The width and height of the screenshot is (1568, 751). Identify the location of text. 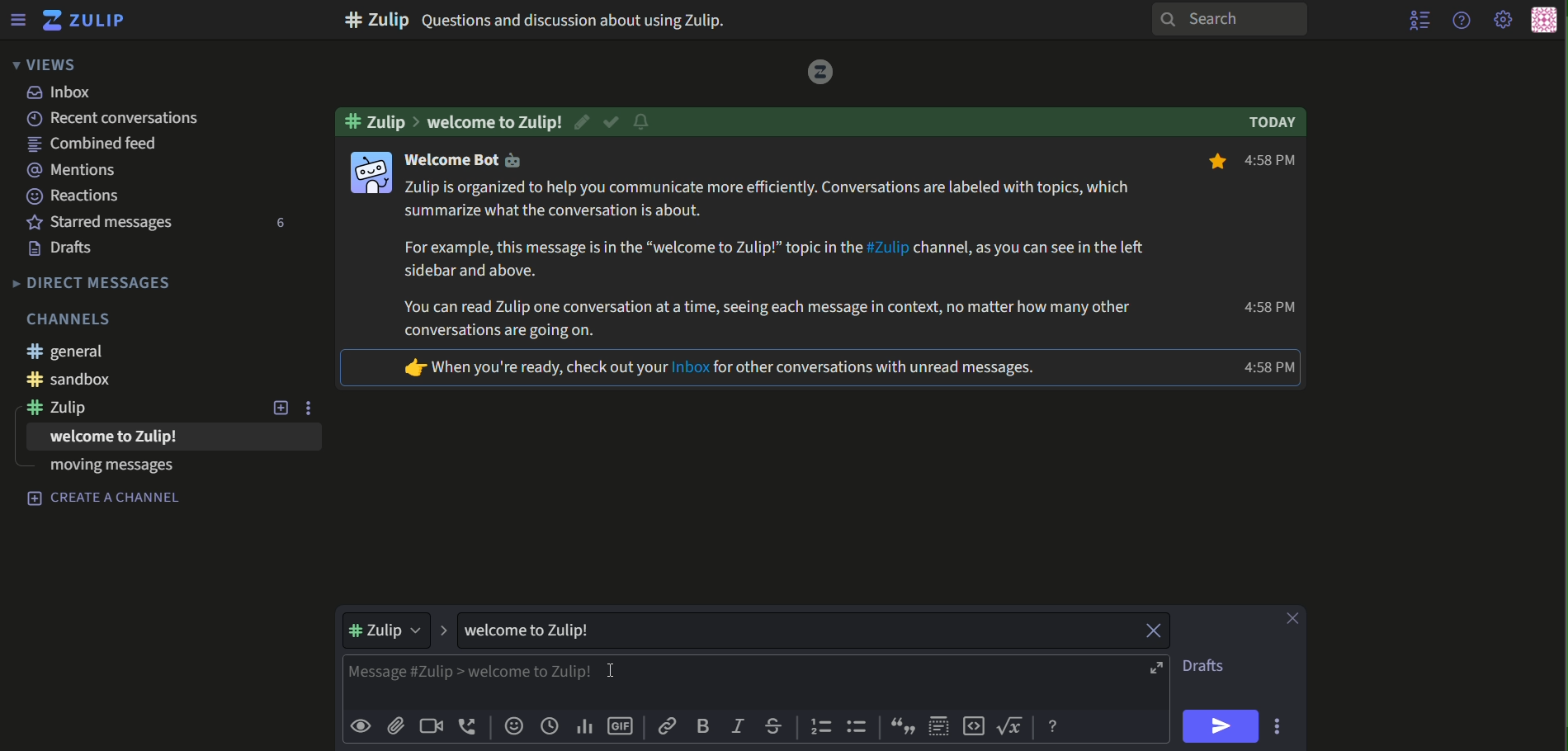
(543, 19).